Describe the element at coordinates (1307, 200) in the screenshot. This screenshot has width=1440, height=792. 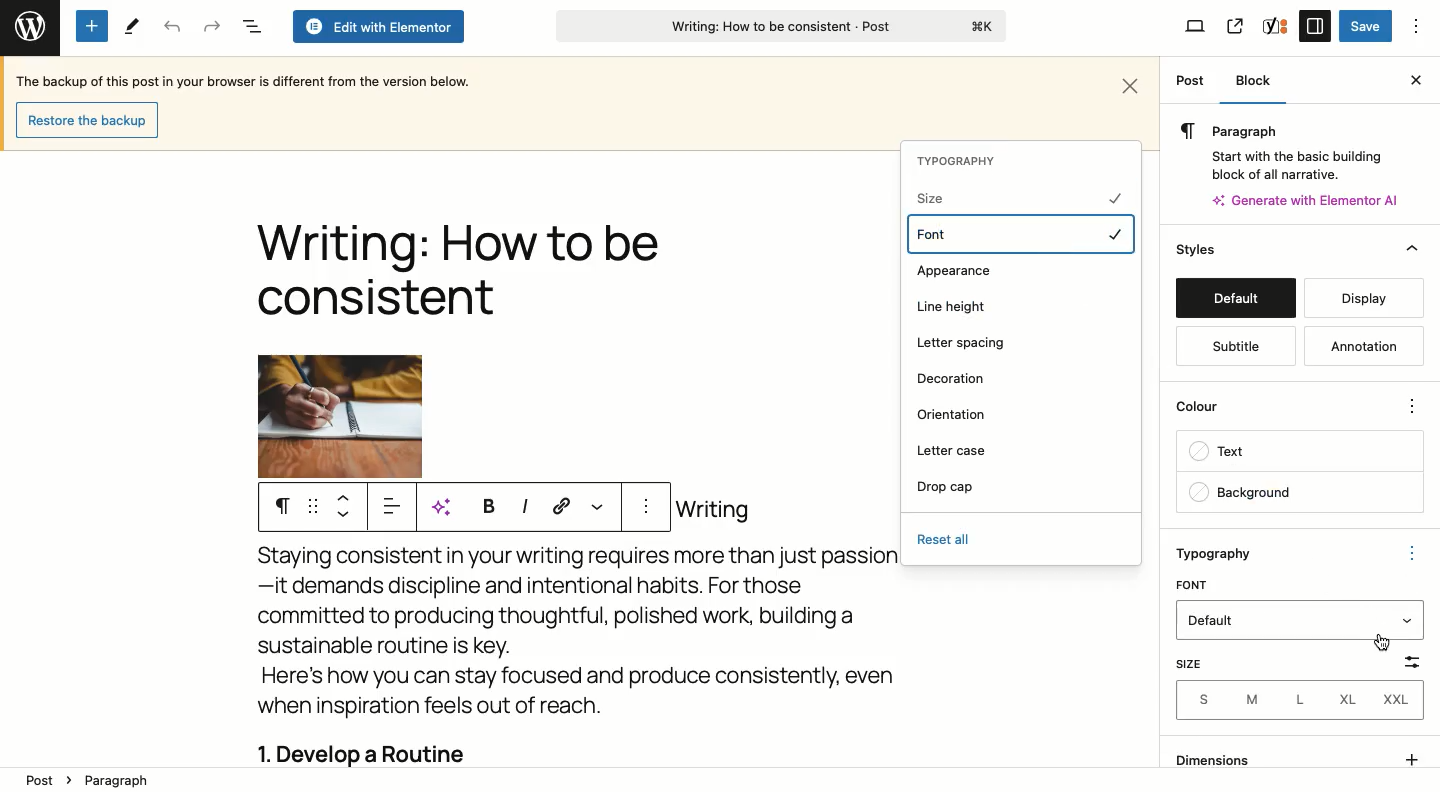
I see `Generate with Elementor AI` at that location.